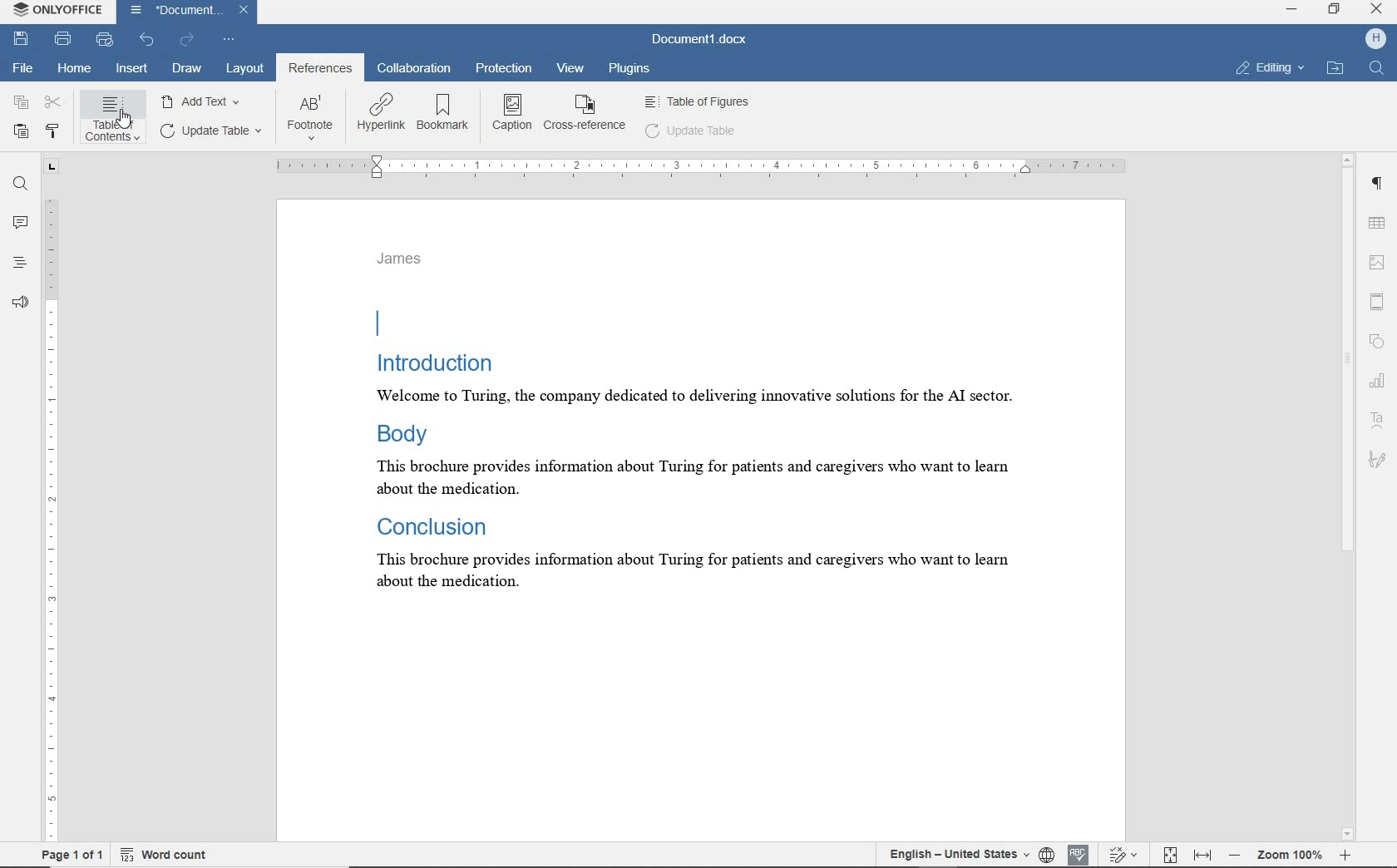  I want to click on cross reference, so click(585, 116).